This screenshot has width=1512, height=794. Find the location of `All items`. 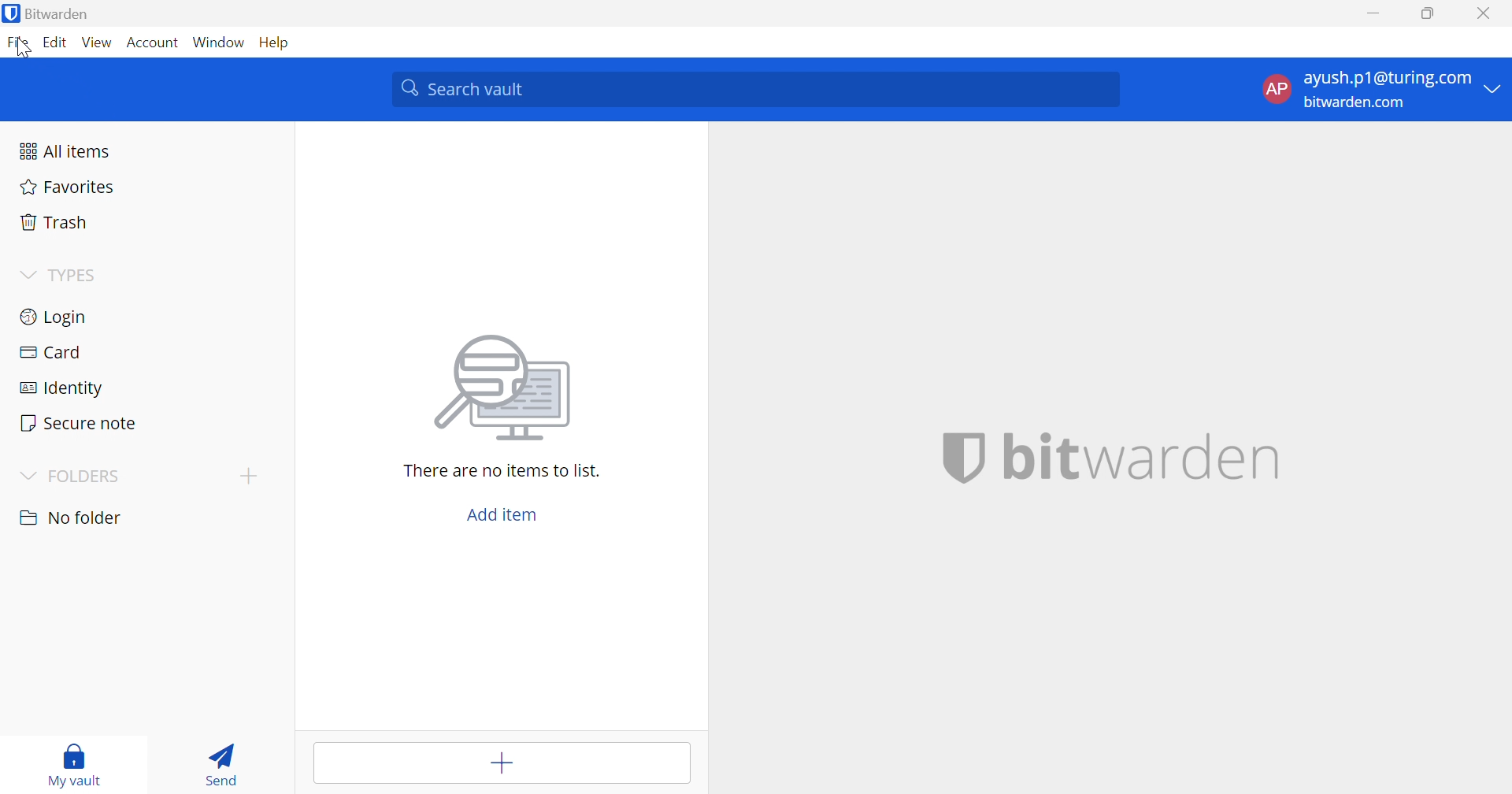

All items is located at coordinates (65, 150).